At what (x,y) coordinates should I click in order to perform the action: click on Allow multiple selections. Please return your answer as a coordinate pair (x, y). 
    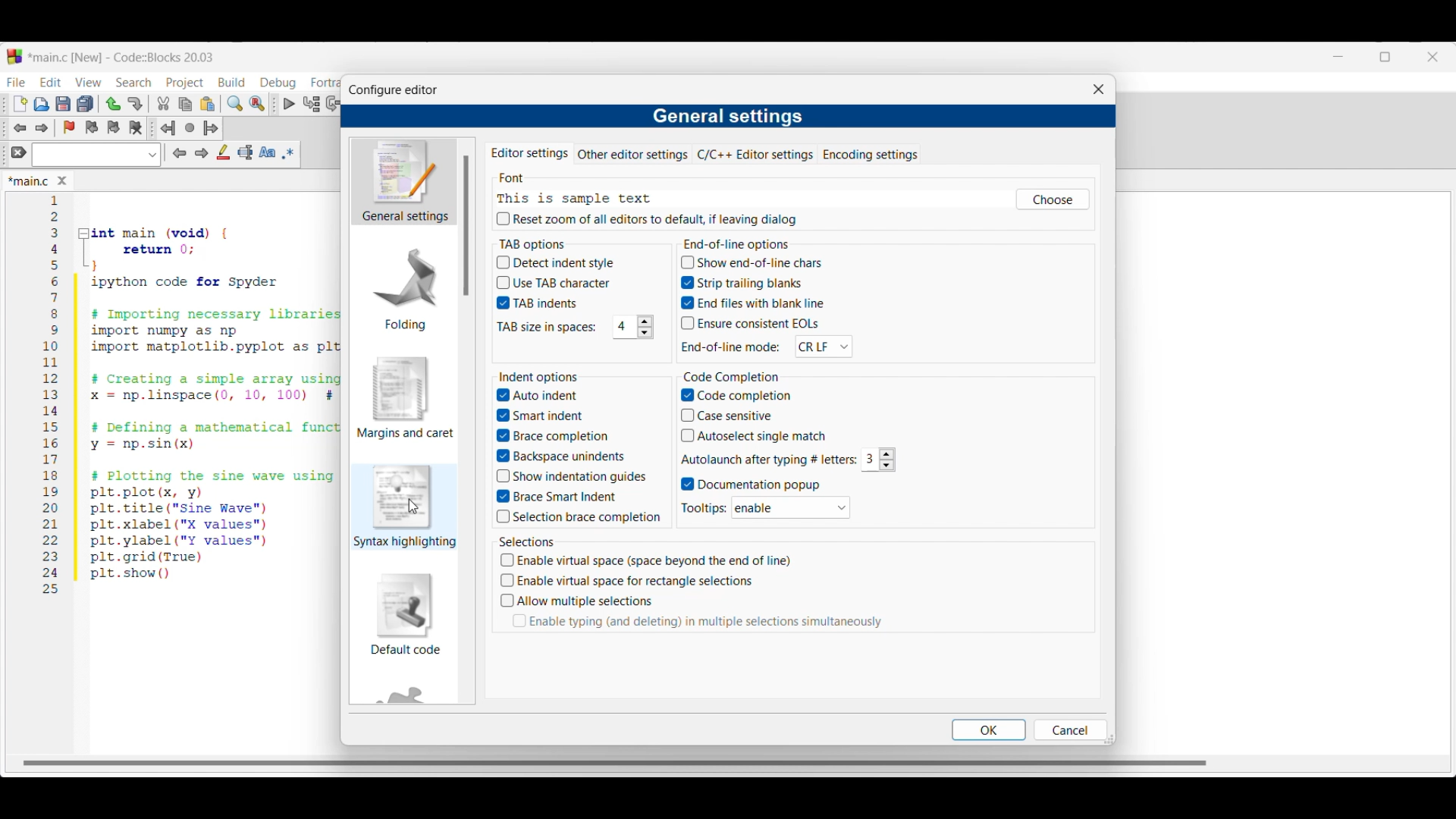
    Looking at the image, I should click on (584, 603).